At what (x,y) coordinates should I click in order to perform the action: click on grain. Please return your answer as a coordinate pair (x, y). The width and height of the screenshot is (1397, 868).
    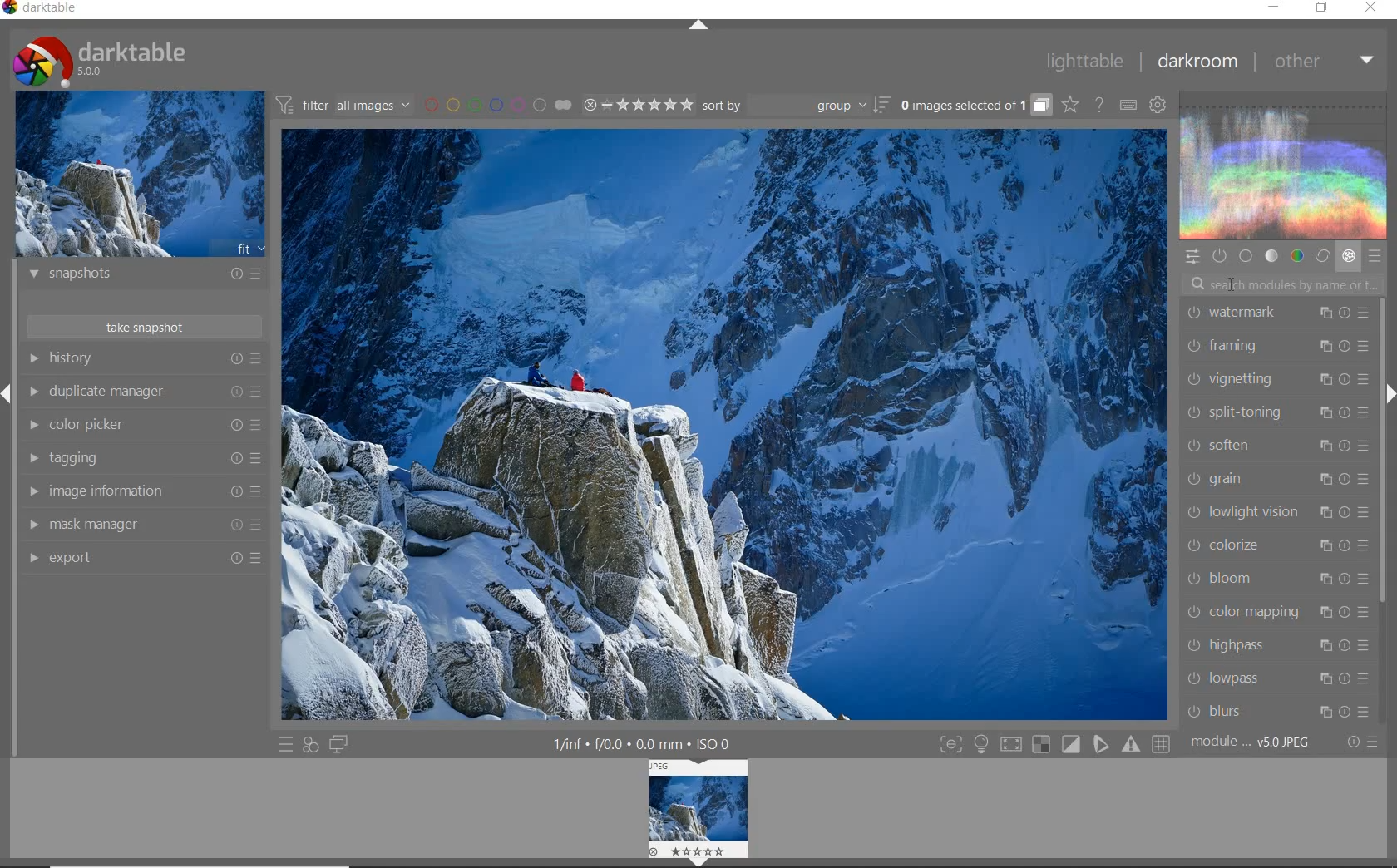
    Looking at the image, I should click on (1278, 479).